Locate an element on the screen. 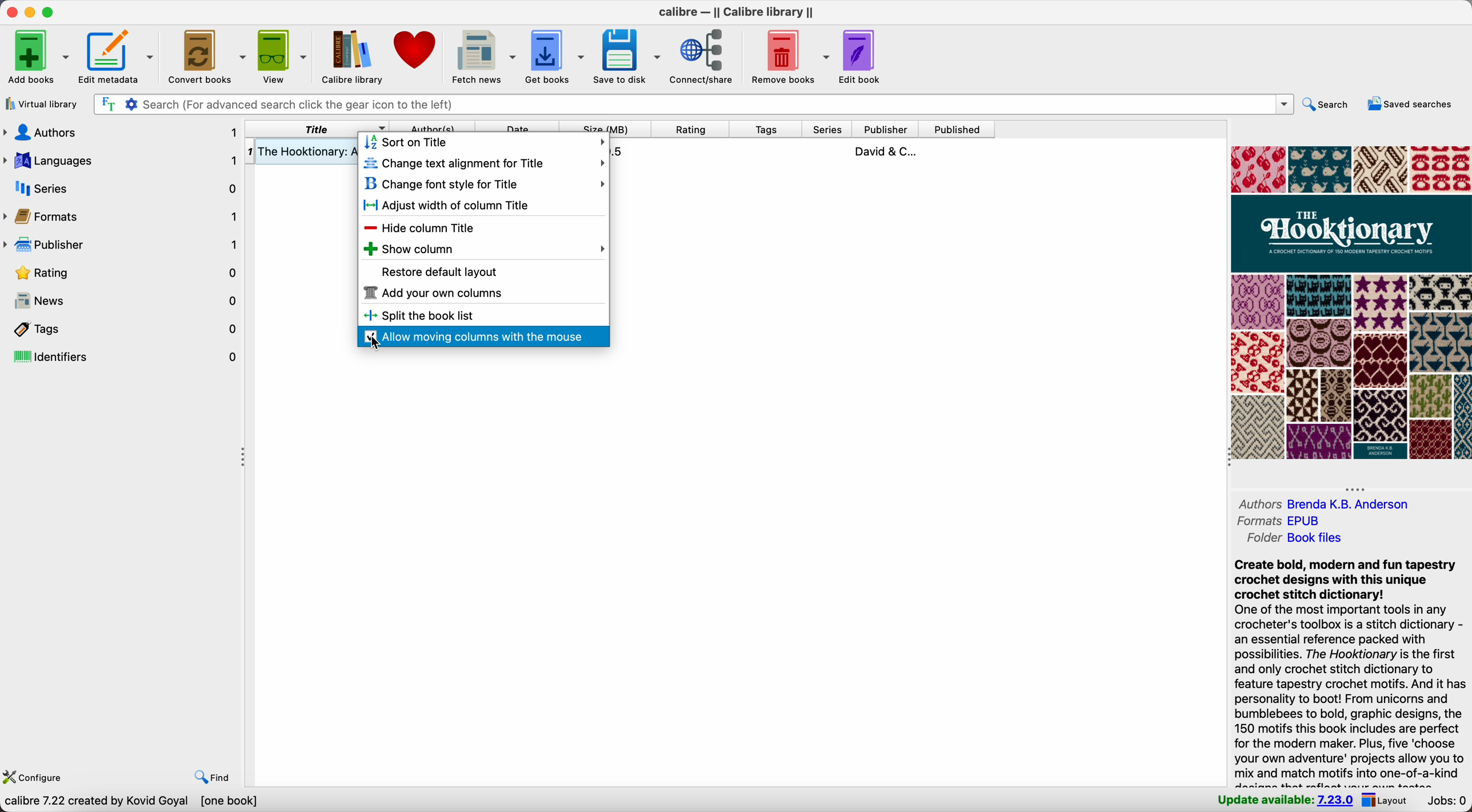 The image size is (1472, 812). donate is located at coordinates (418, 51).